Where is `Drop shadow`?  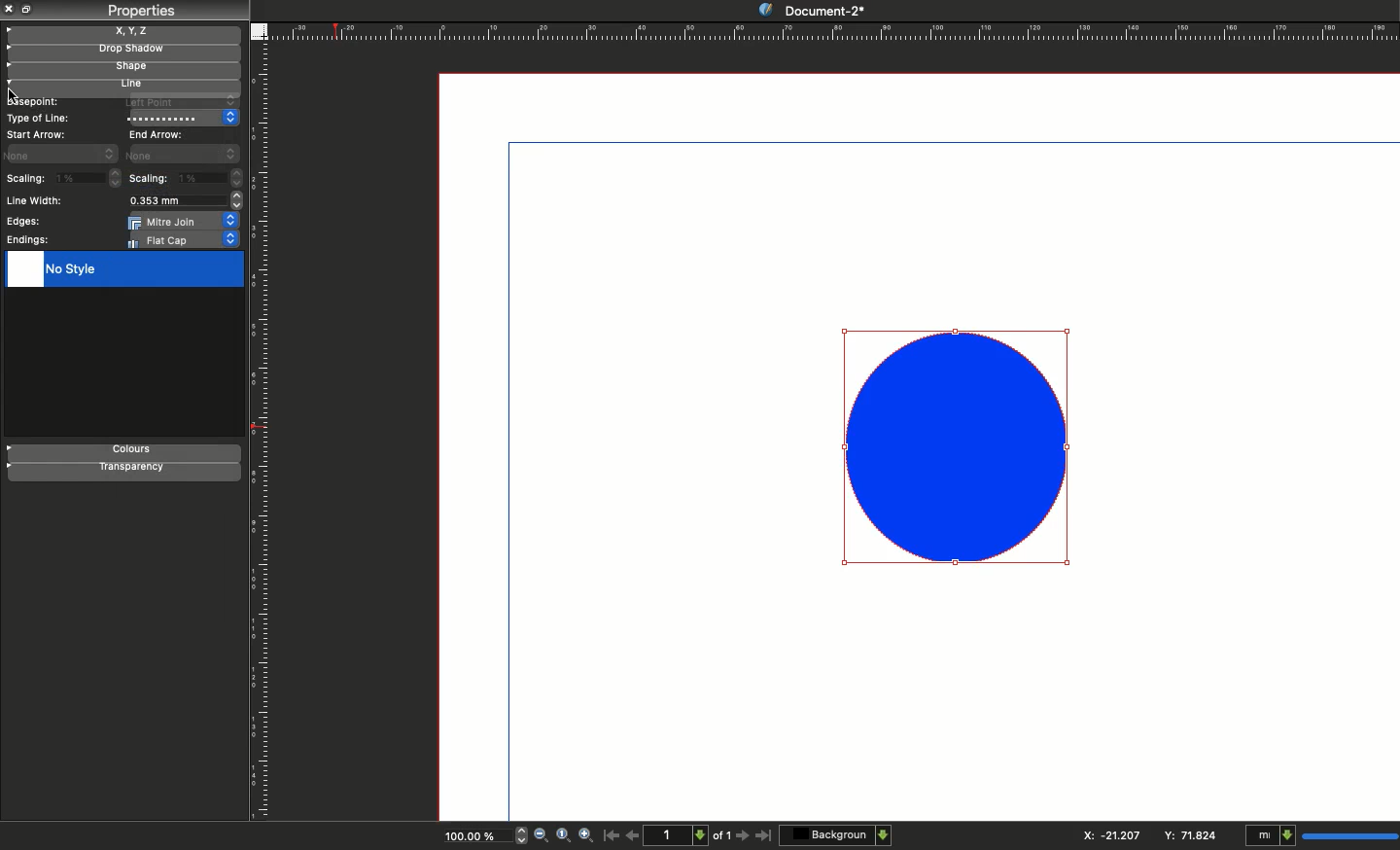
Drop shadow is located at coordinates (121, 51).